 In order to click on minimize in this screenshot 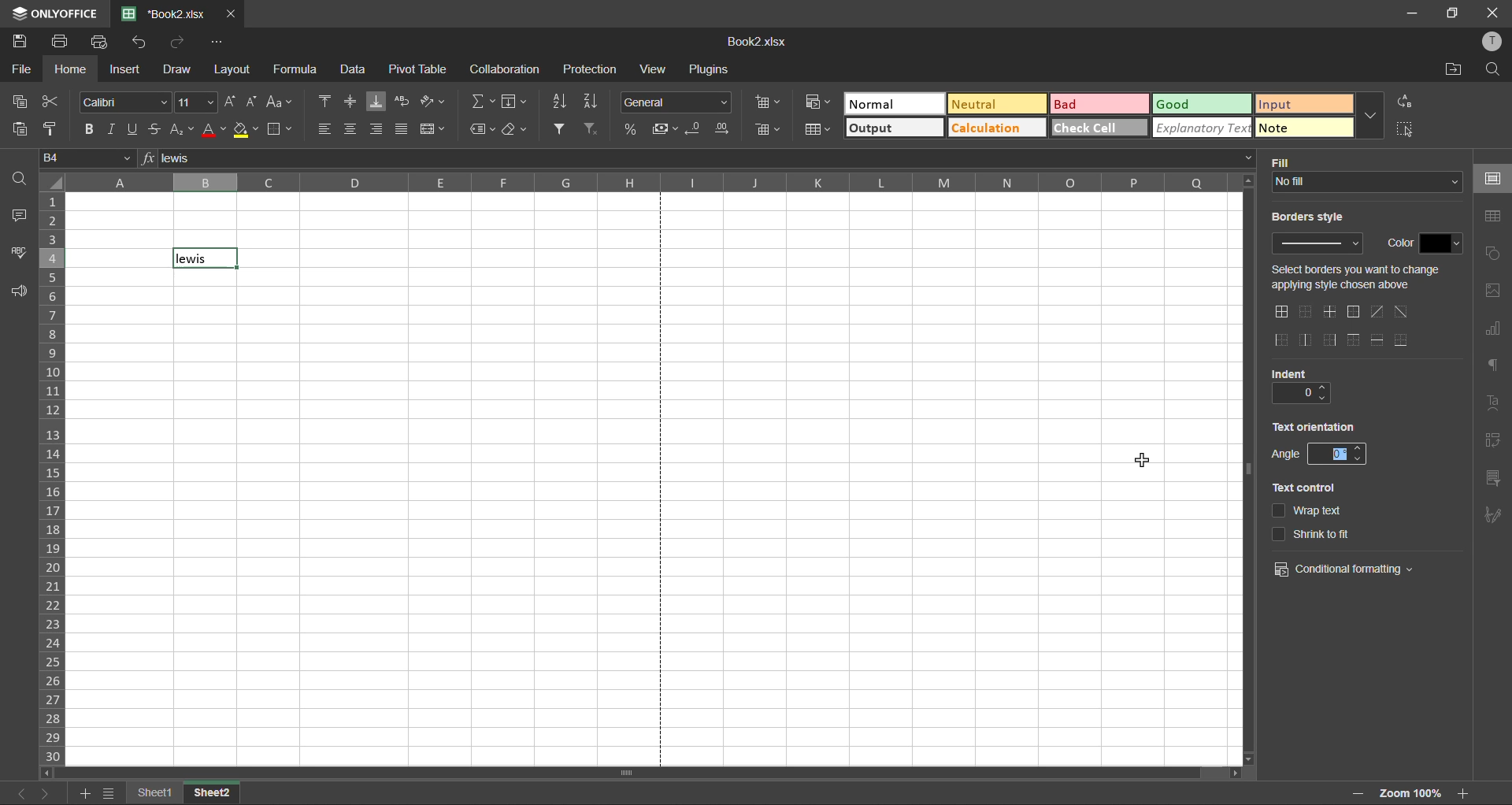, I will do `click(1413, 13)`.